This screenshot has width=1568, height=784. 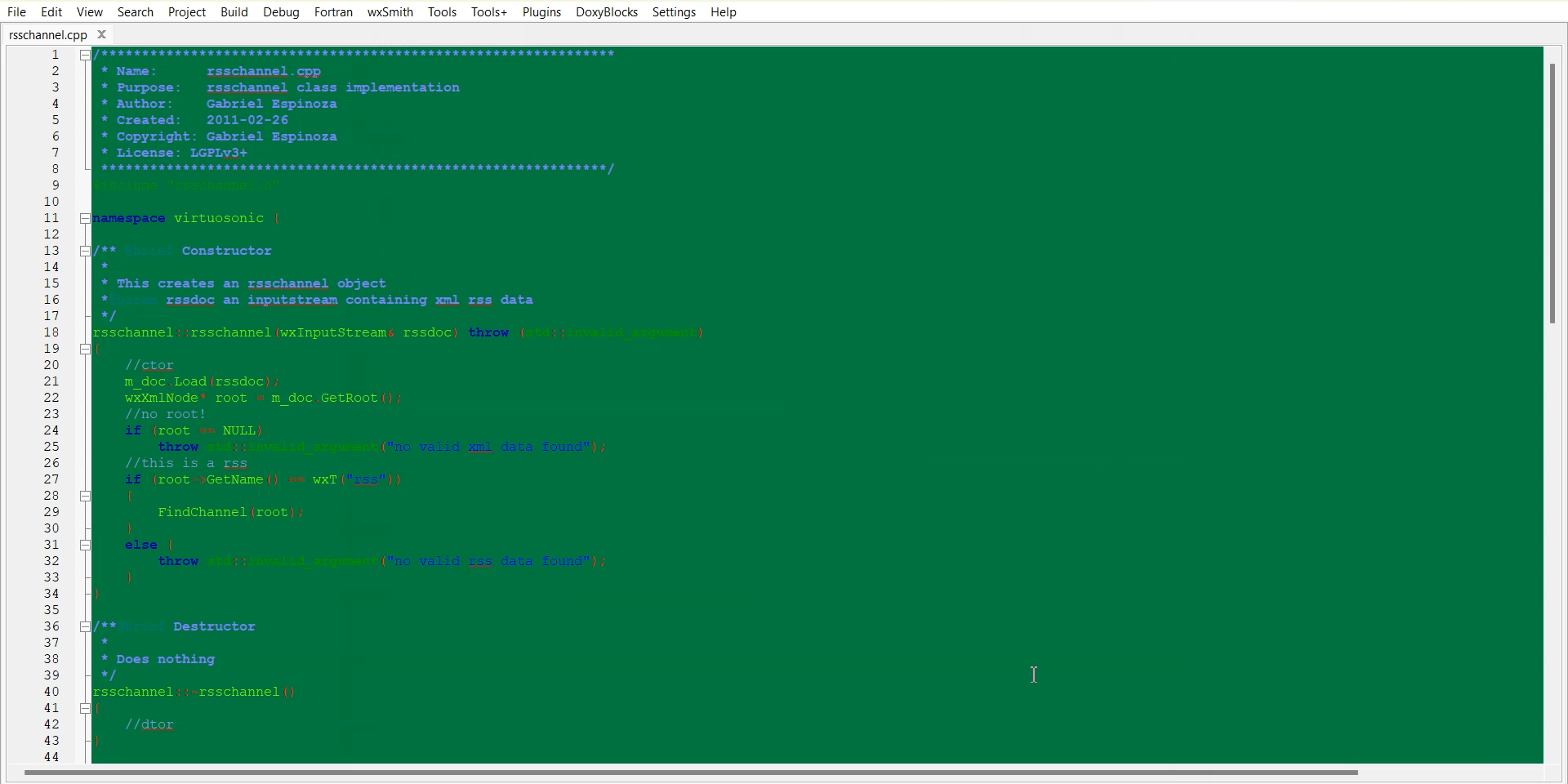 What do you see at coordinates (107, 33) in the screenshot?
I see `Close` at bounding box center [107, 33].